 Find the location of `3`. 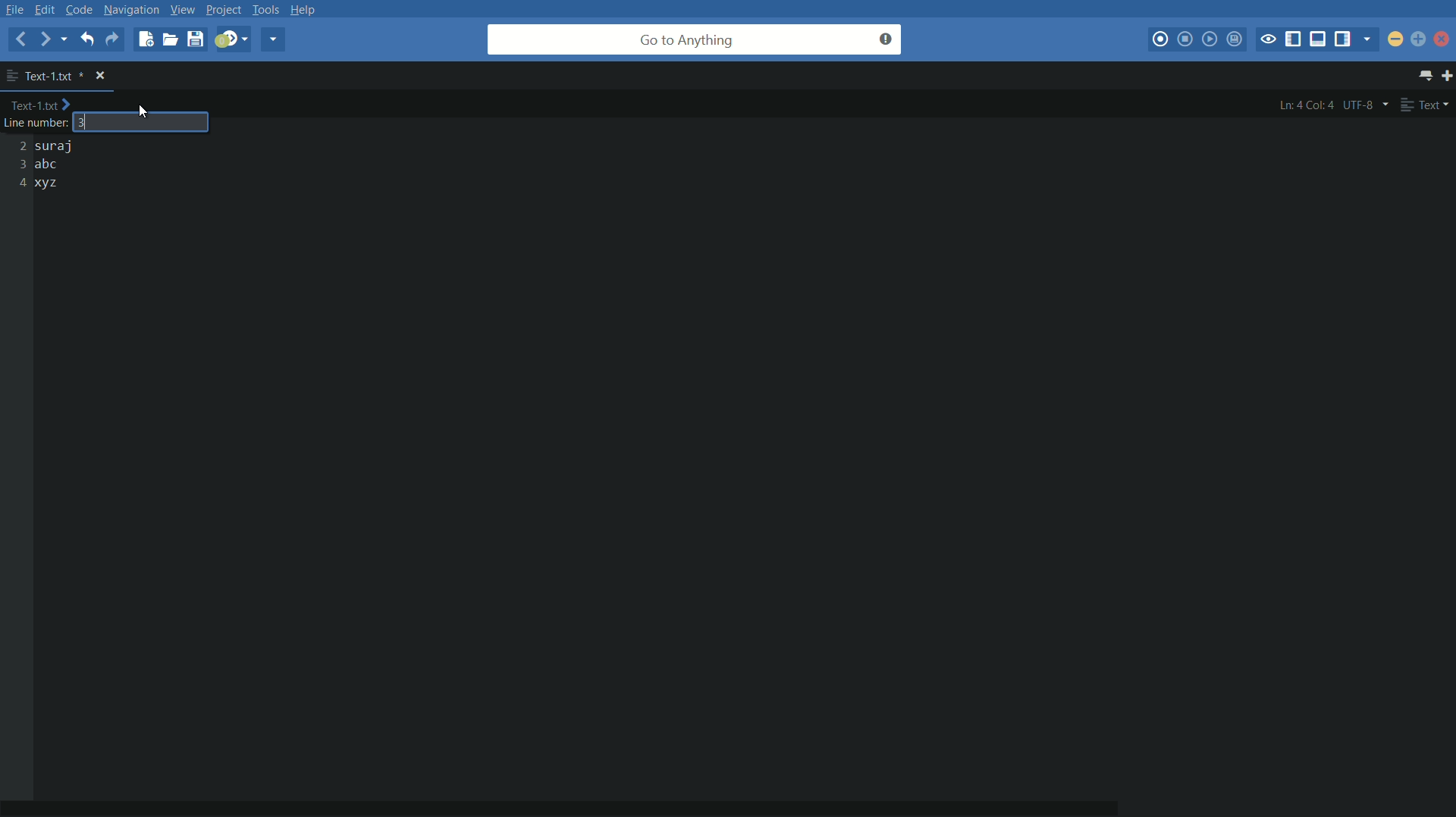

3 is located at coordinates (136, 124).